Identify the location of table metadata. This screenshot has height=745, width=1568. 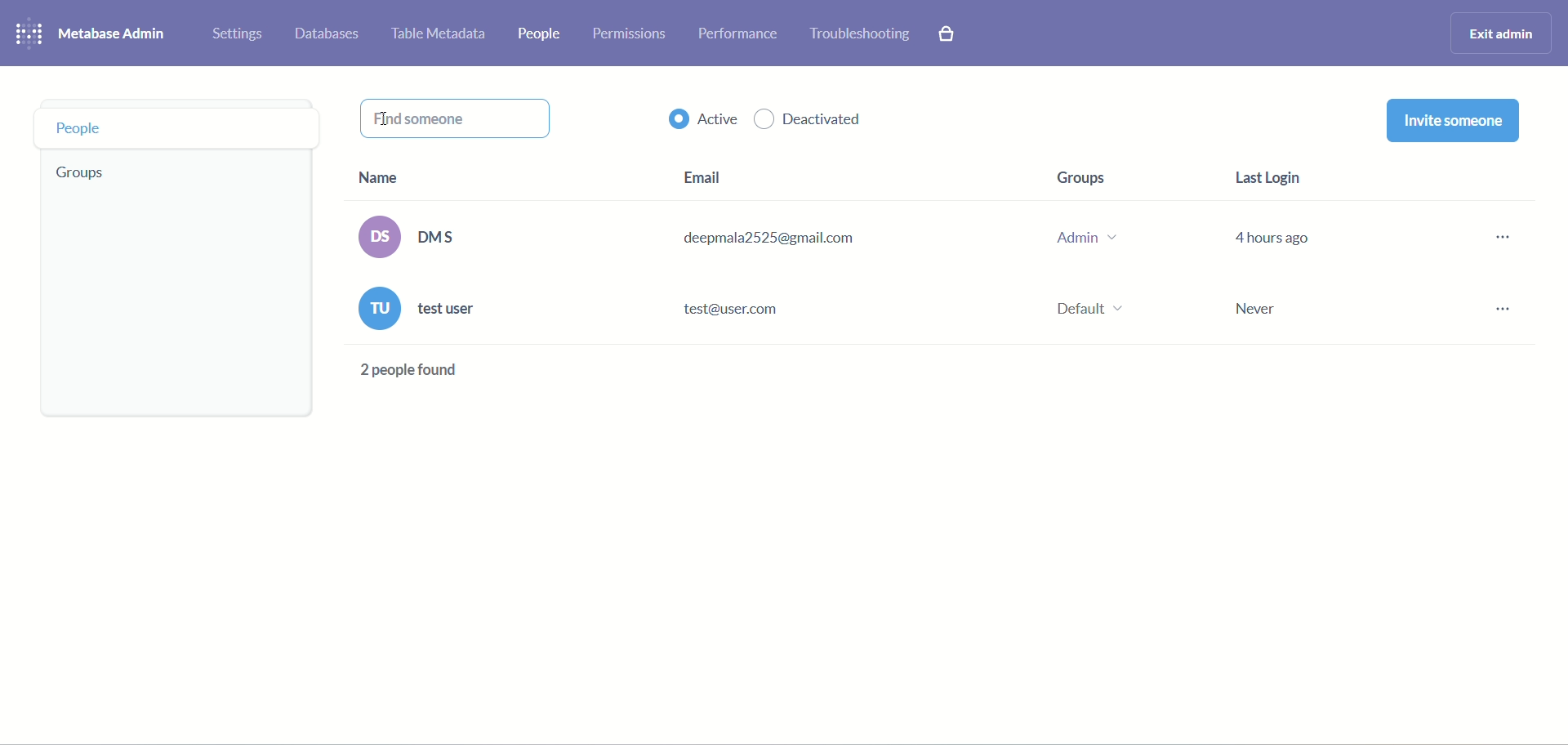
(439, 38).